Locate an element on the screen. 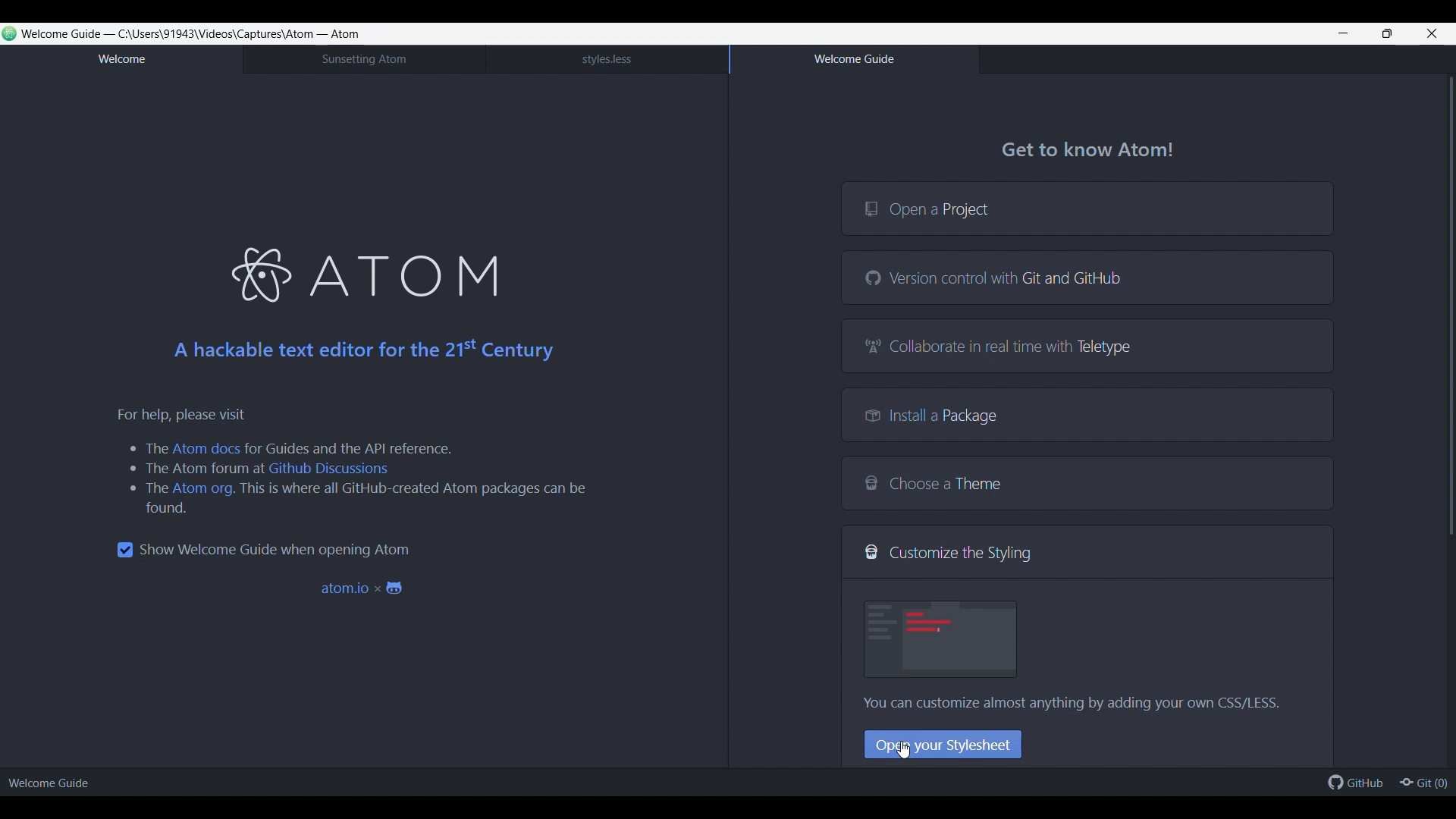 This screenshot has height=819, width=1456. For help, please visit is located at coordinates (184, 414).